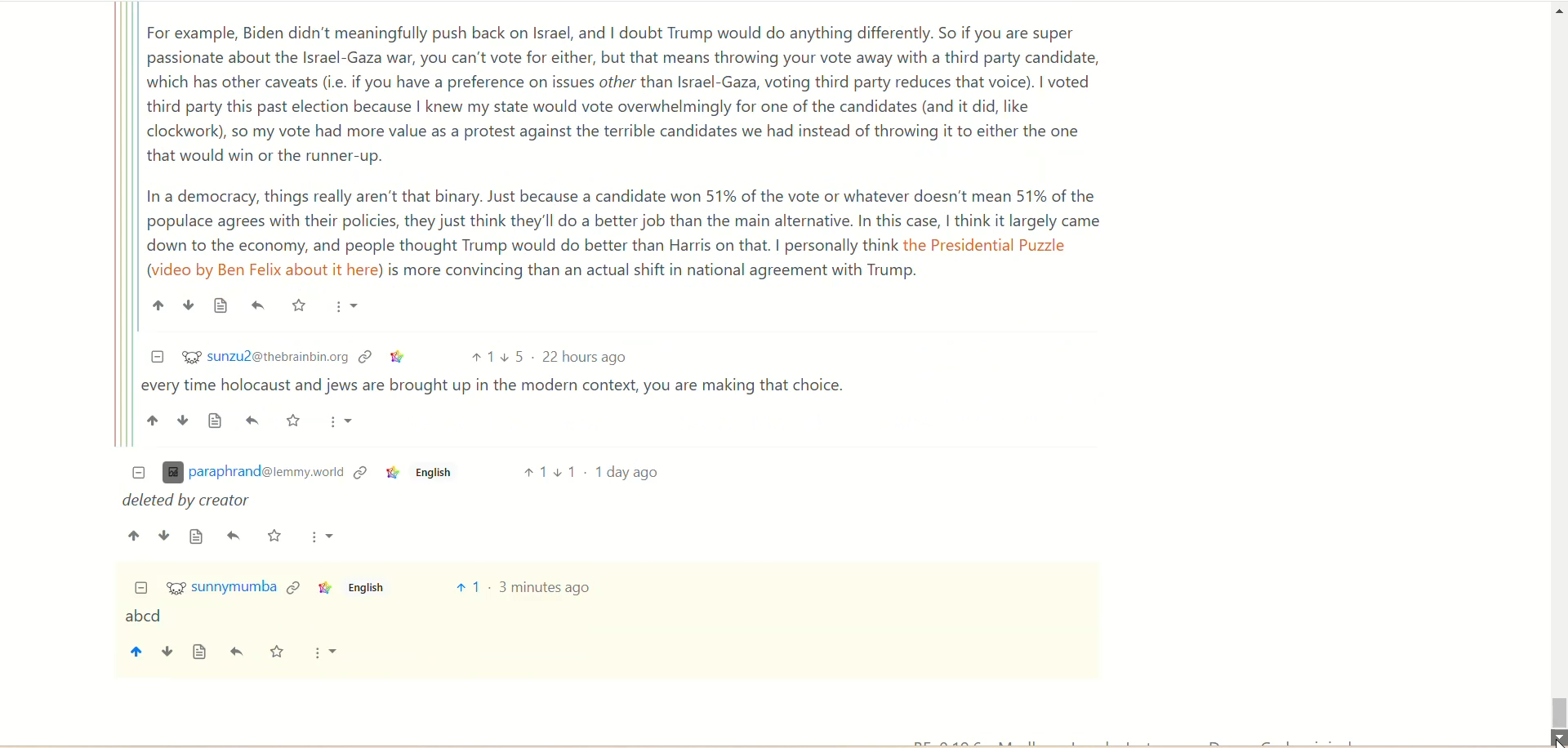 This screenshot has width=1568, height=748. Describe the element at coordinates (341, 422) in the screenshot. I see `More` at that location.